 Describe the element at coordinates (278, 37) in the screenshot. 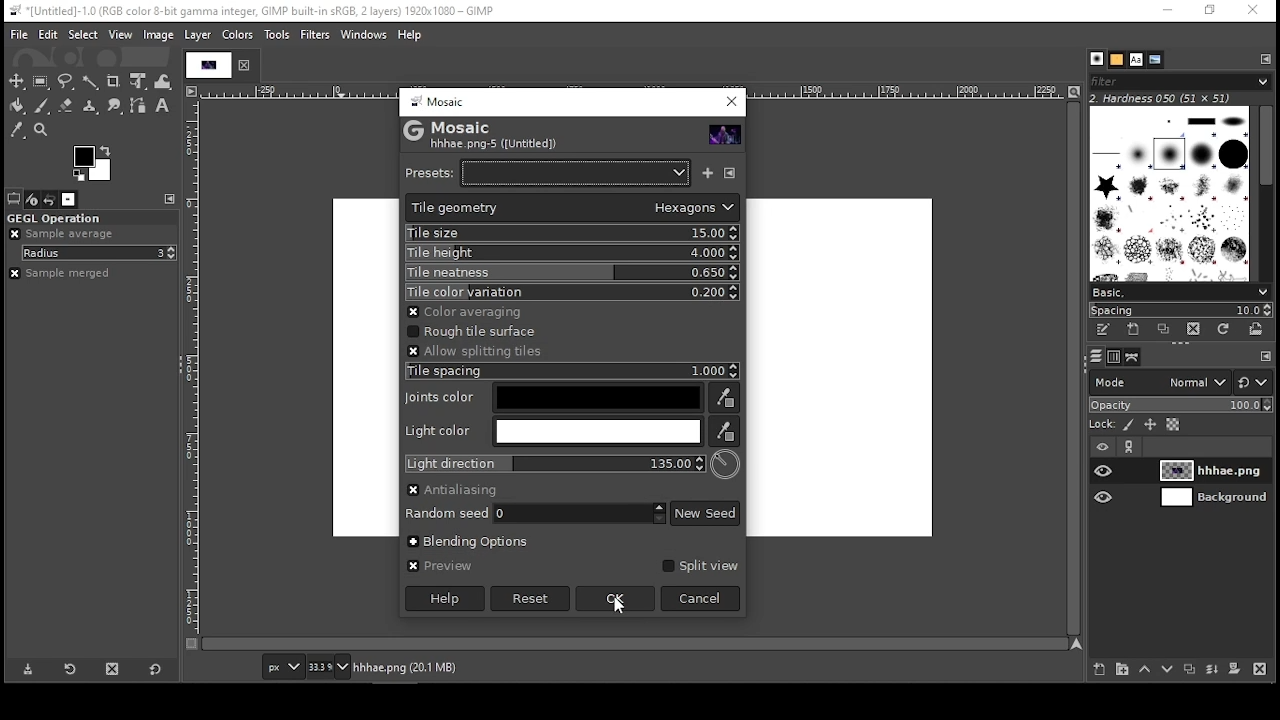

I see `tools` at that location.